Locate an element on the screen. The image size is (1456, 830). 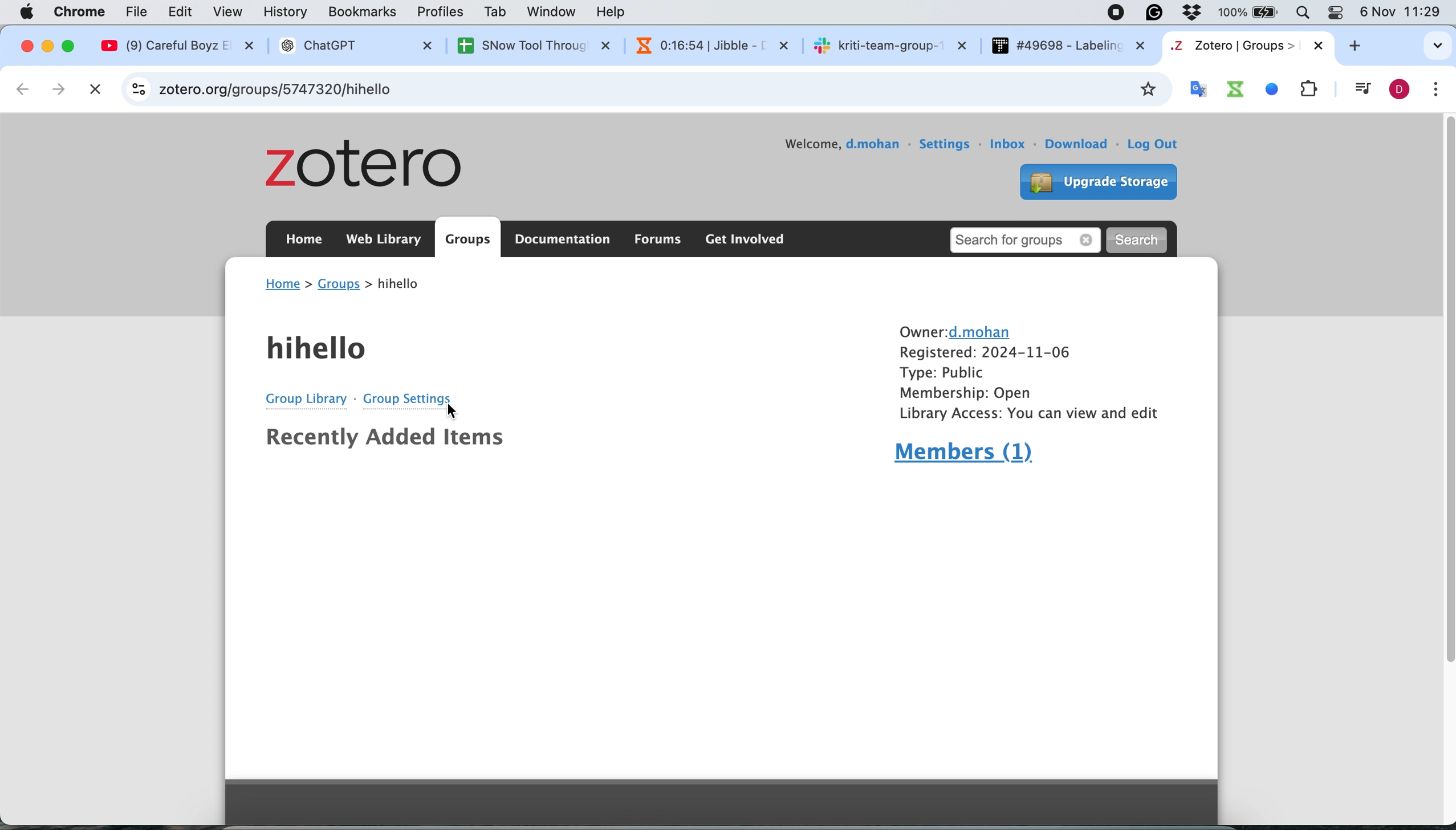
web library is located at coordinates (386, 239).